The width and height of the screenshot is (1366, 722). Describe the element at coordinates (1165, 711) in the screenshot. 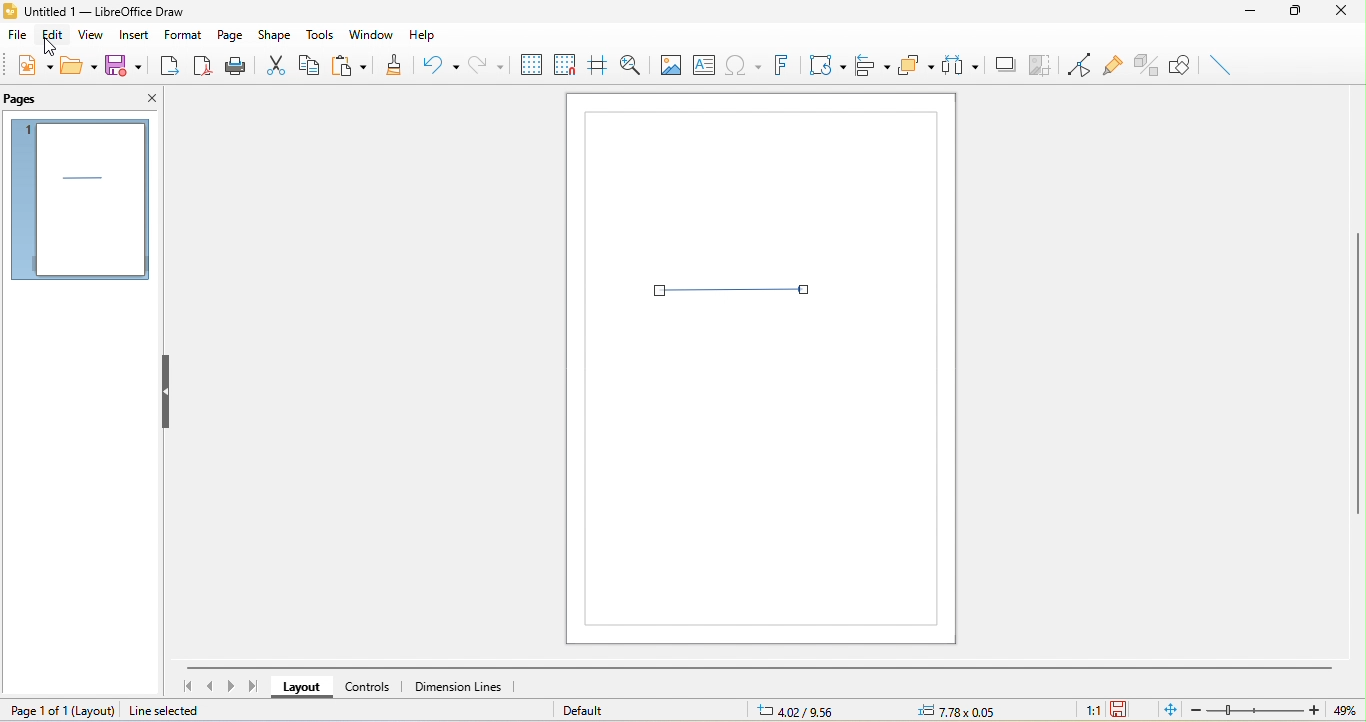

I see `fit to the current window` at that location.